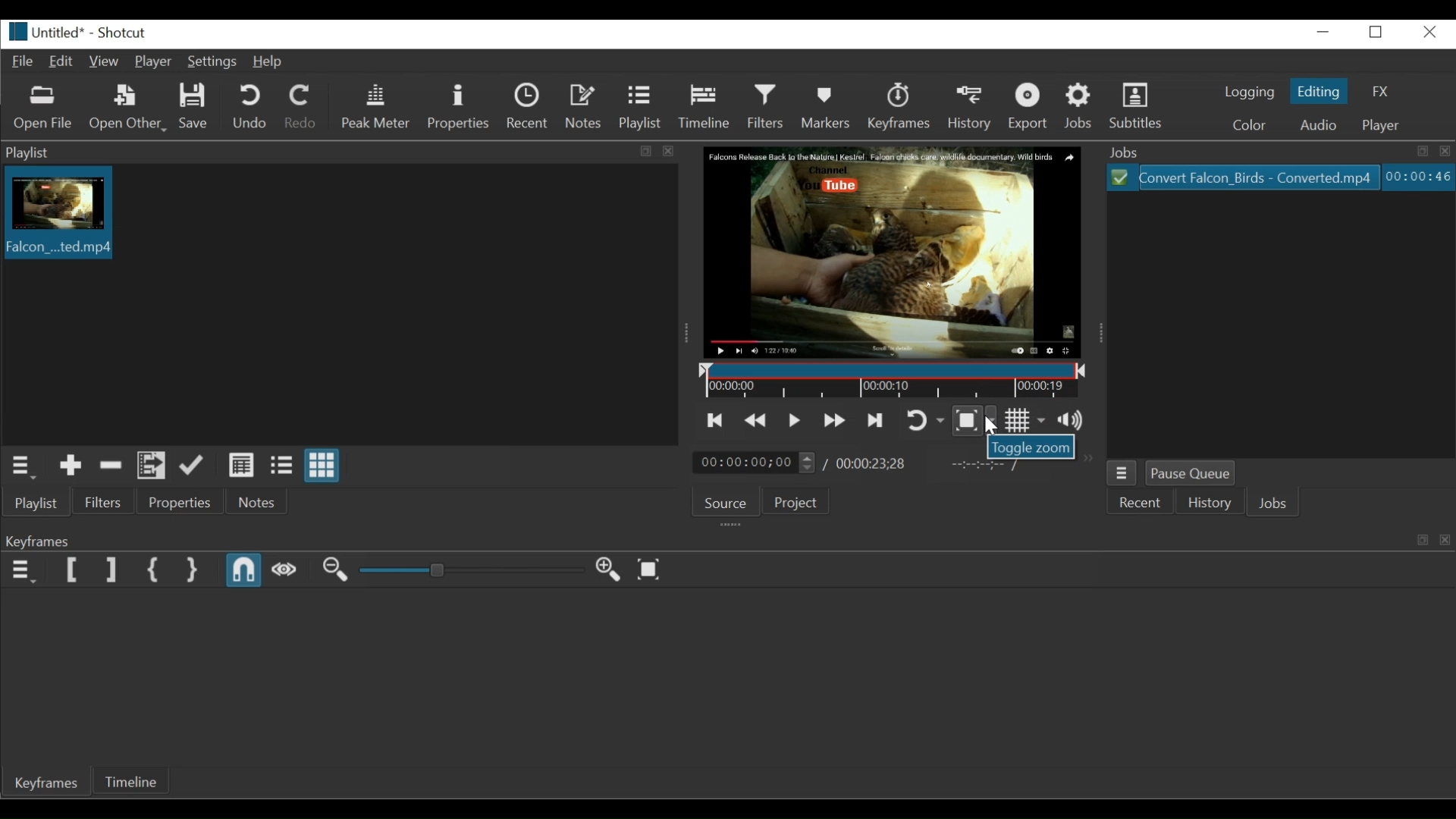 This screenshot has height=819, width=1456. Describe the element at coordinates (795, 420) in the screenshot. I see `Toggle play or pause` at that location.